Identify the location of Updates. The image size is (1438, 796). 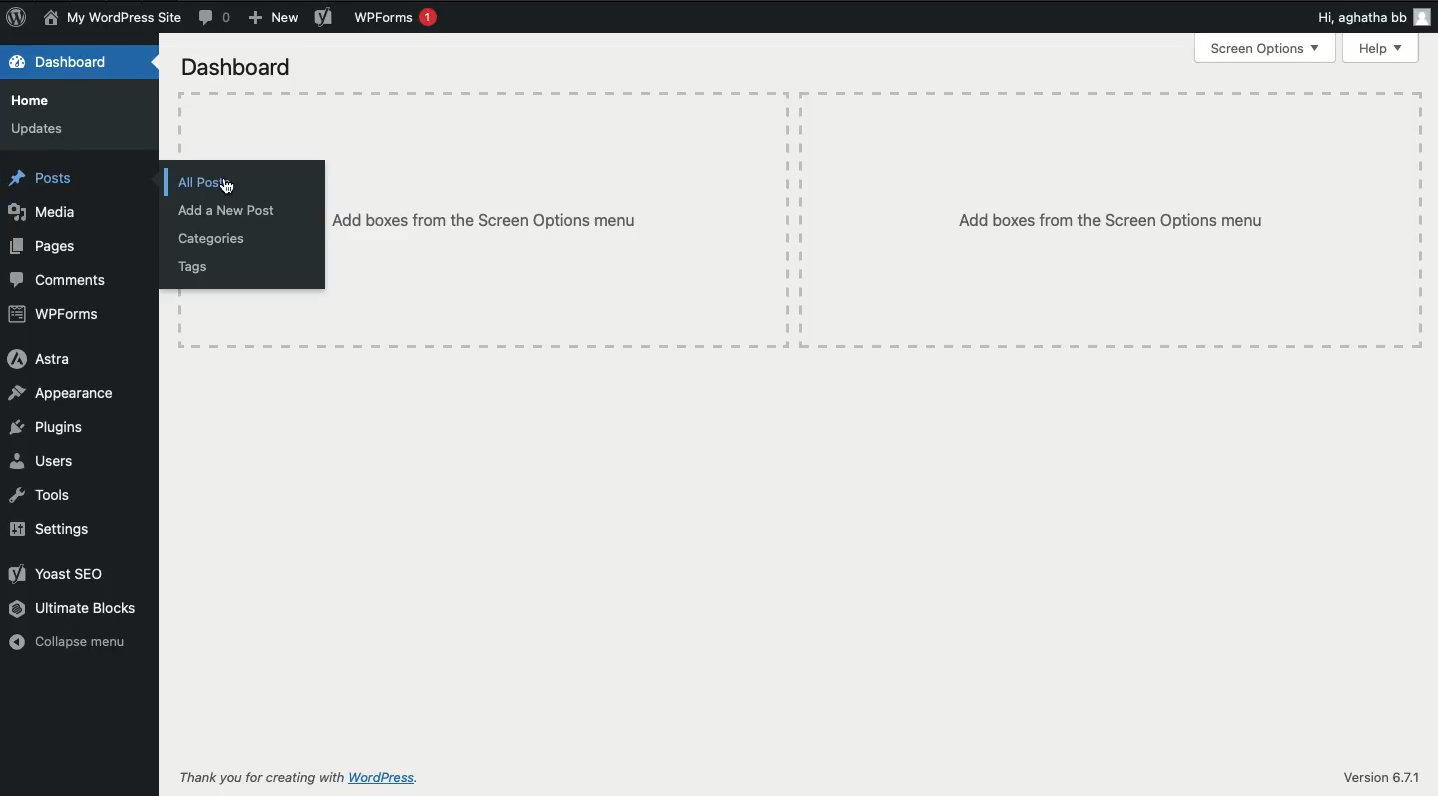
(39, 129).